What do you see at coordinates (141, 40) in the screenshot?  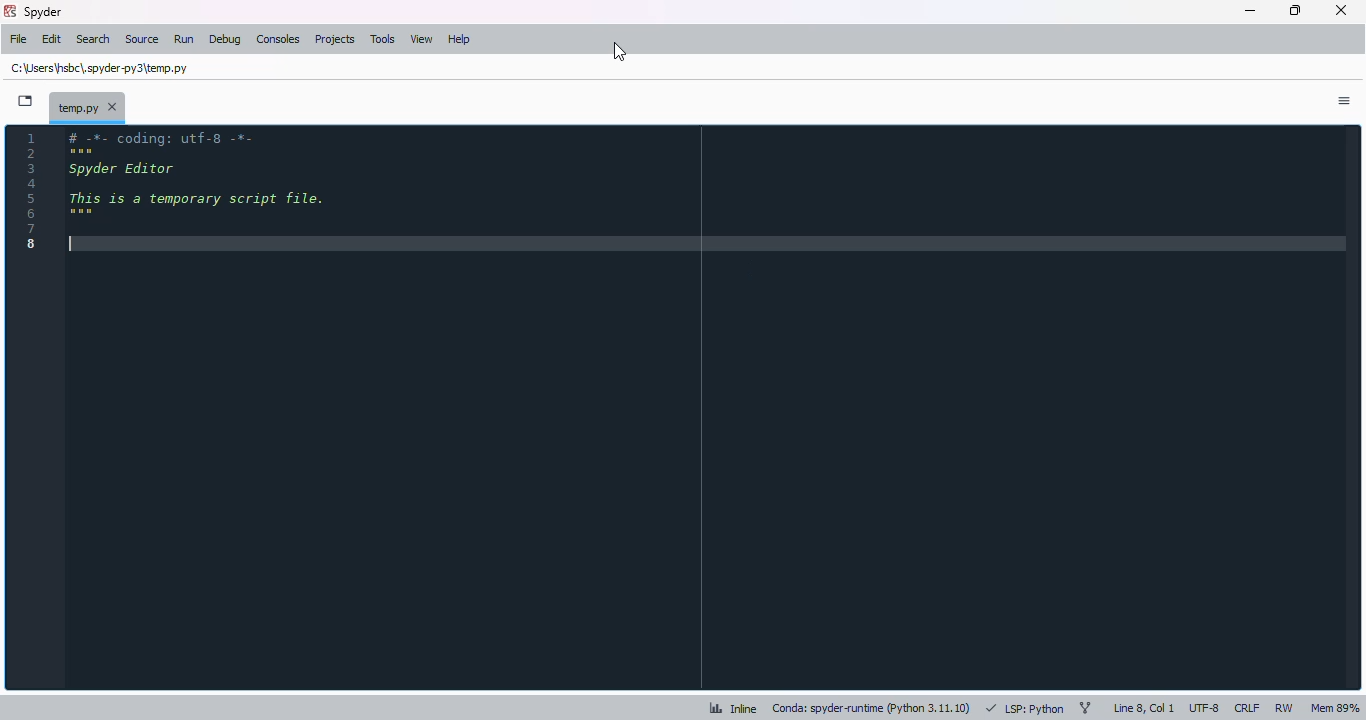 I see `source` at bounding box center [141, 40].